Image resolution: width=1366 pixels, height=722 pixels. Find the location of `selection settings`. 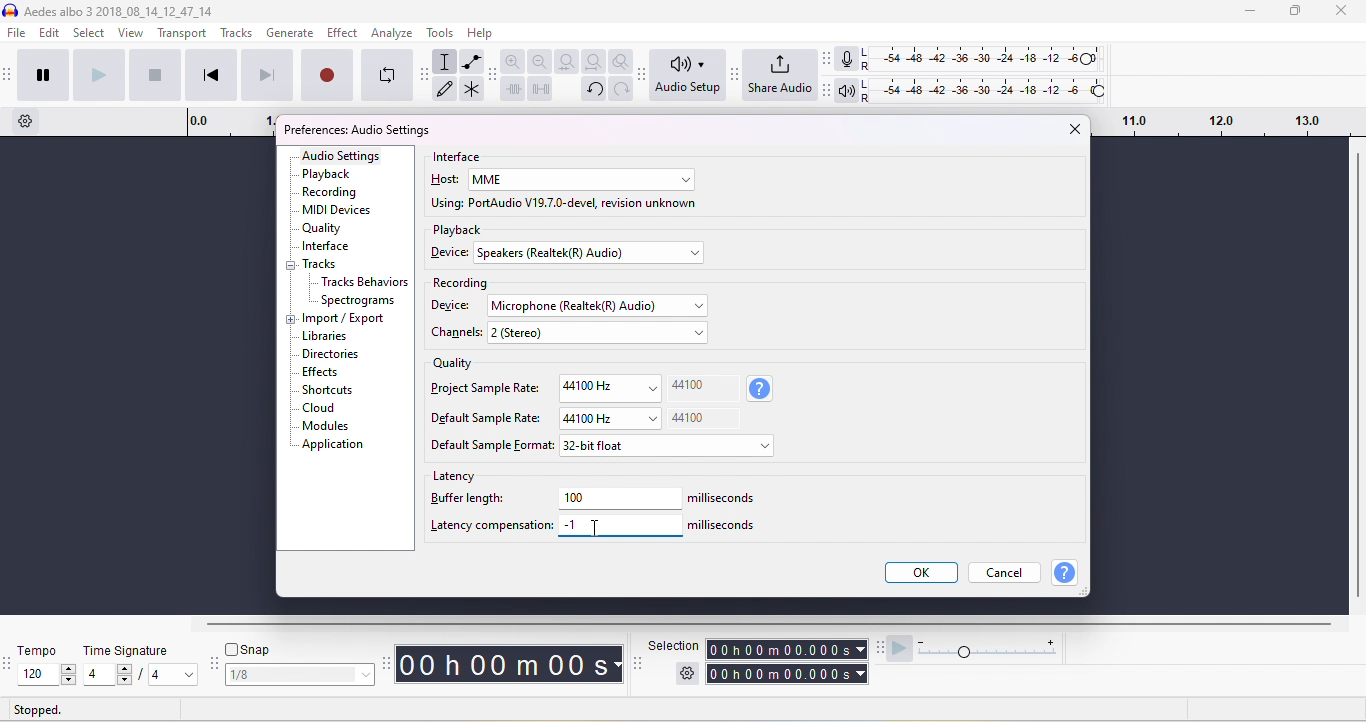

selection settings is located at coordinates (686, 673).